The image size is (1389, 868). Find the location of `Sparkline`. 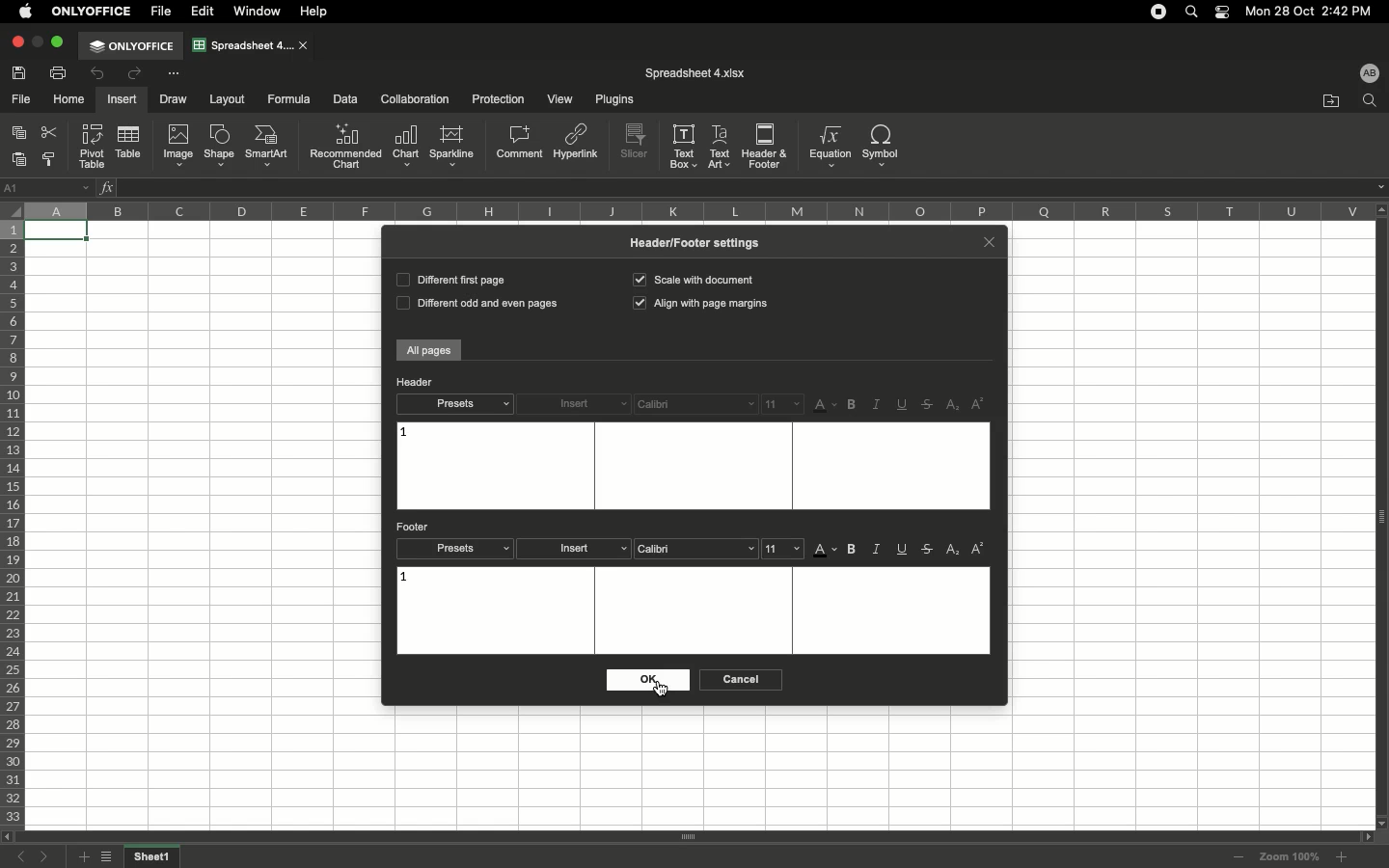

Sparkline is located at coordinates (451, 146).